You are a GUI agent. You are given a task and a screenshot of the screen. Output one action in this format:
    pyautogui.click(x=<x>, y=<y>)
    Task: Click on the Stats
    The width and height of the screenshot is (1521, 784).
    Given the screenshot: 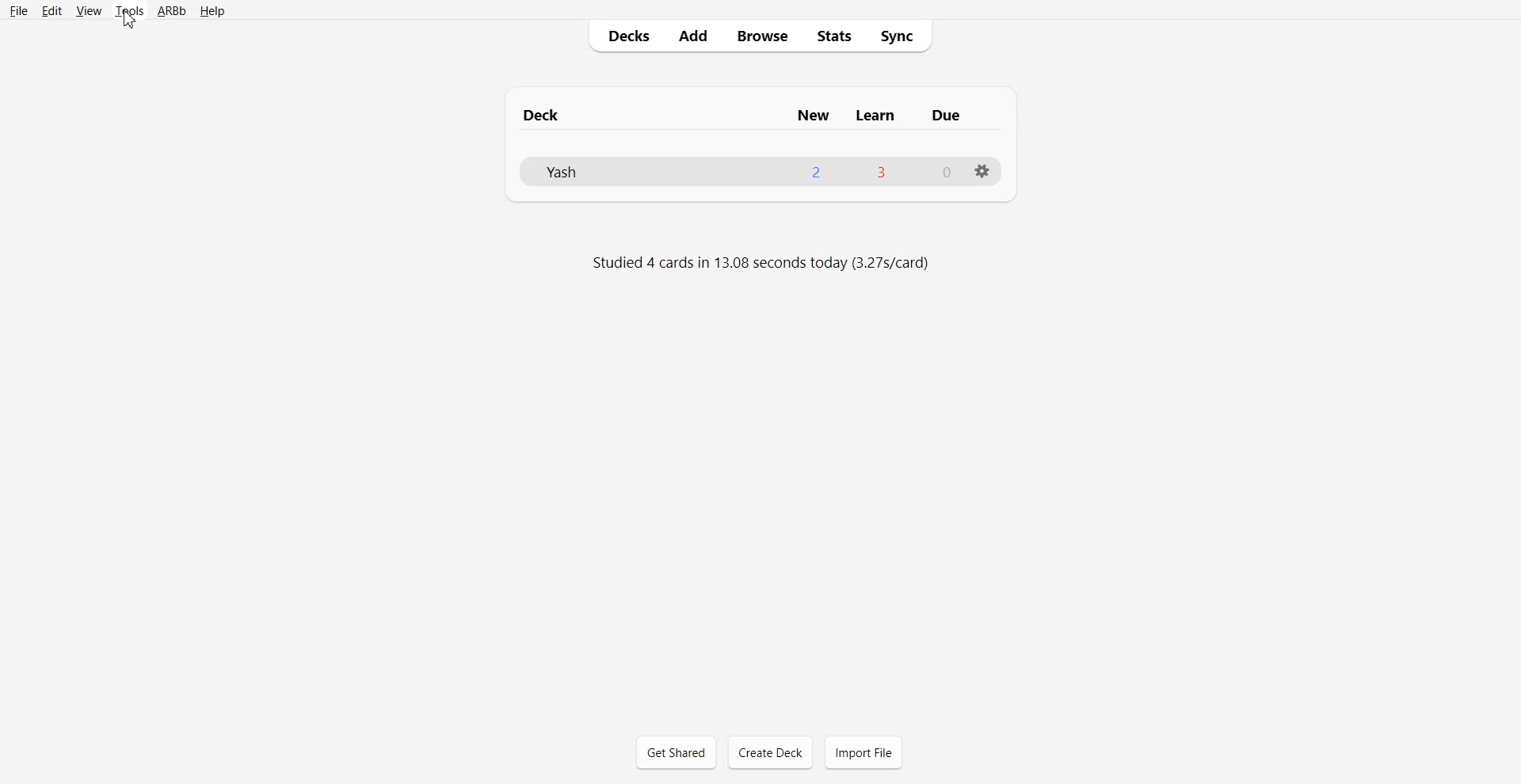 What is the action you would take?
    pyautogui.click(x=833, y=36)
    